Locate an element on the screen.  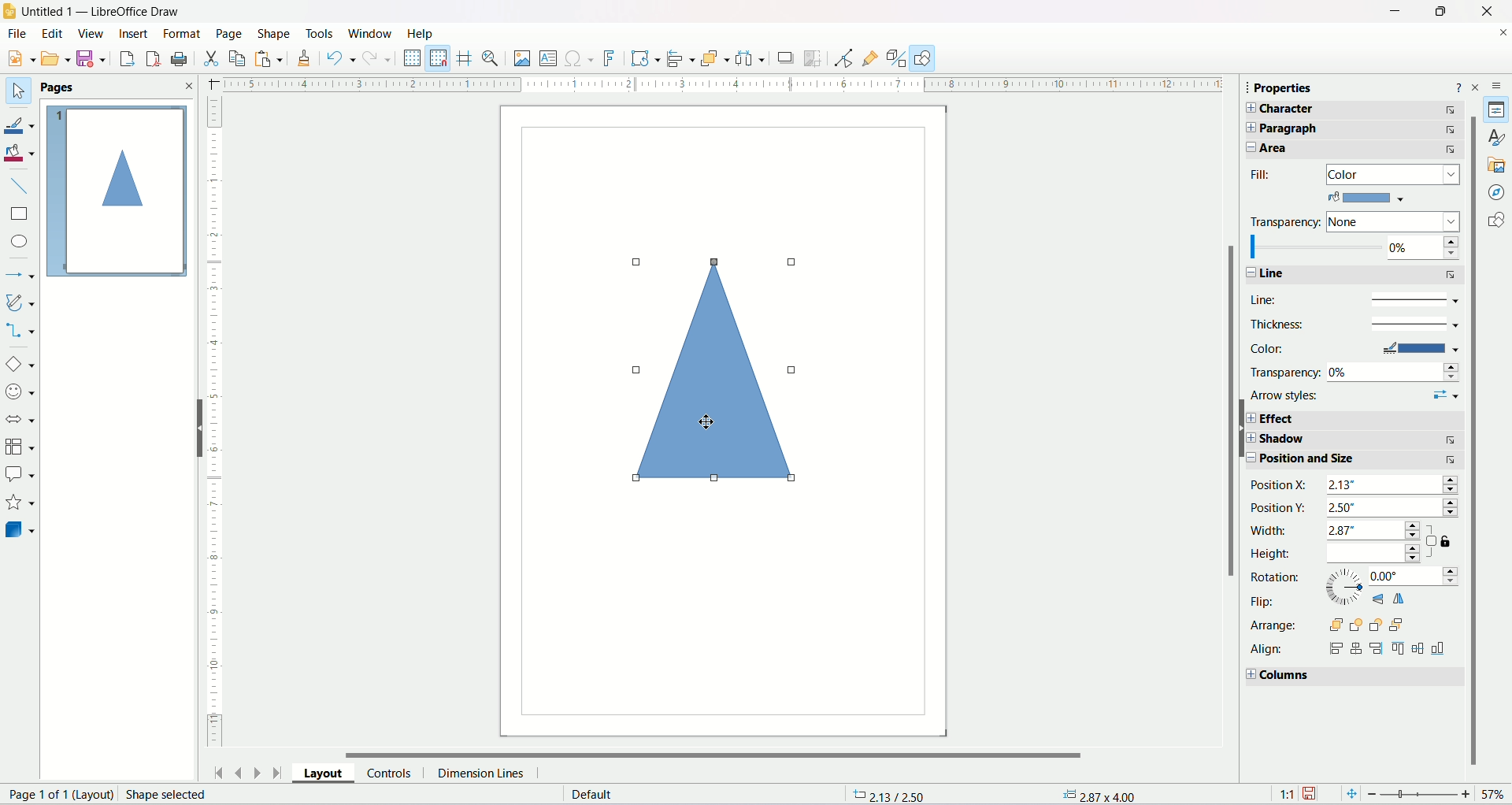
Snap to grid is located at coordinates (439, 58).